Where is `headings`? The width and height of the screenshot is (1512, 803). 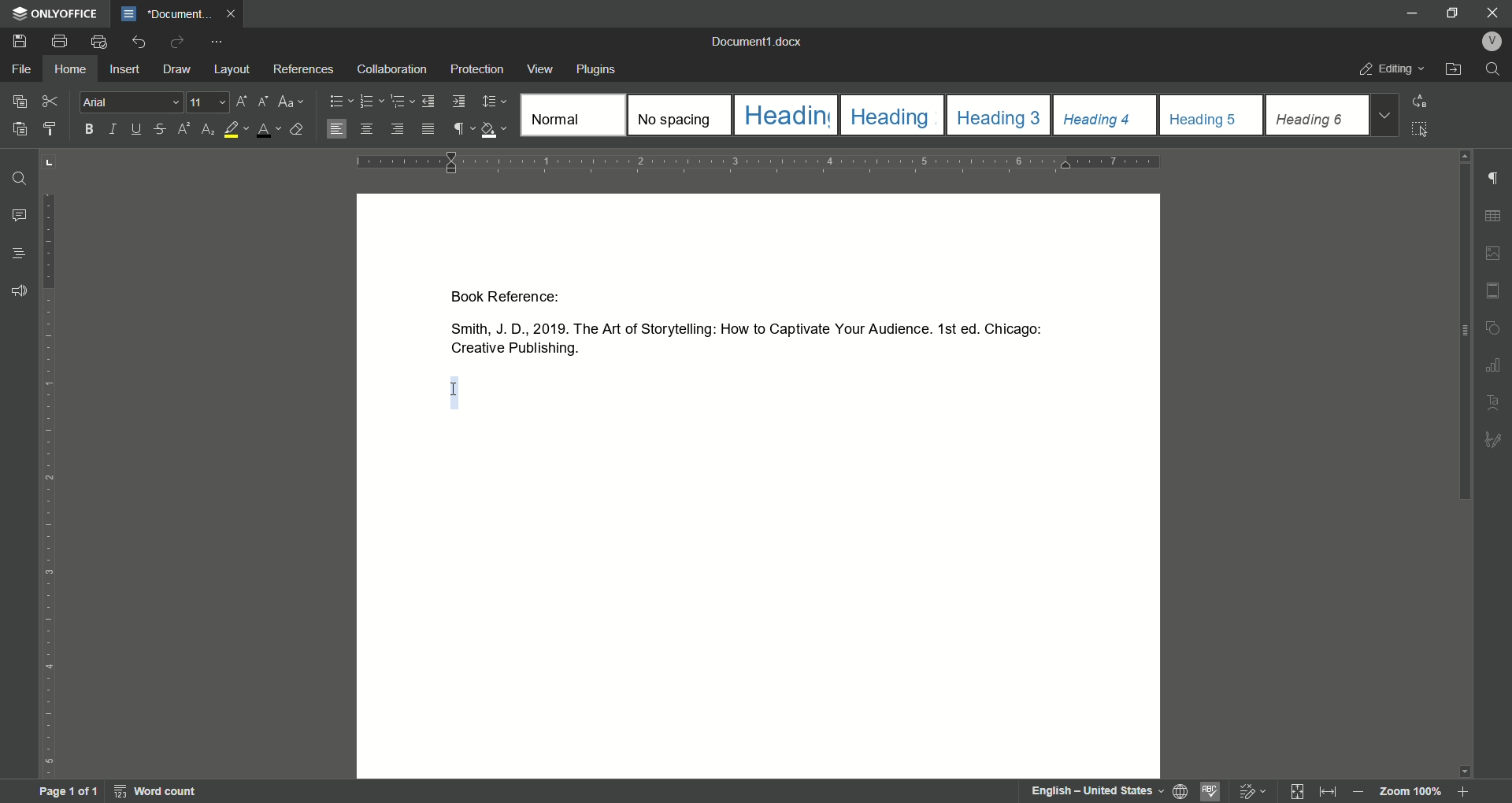
headings is located at coordinates (1106, 114).